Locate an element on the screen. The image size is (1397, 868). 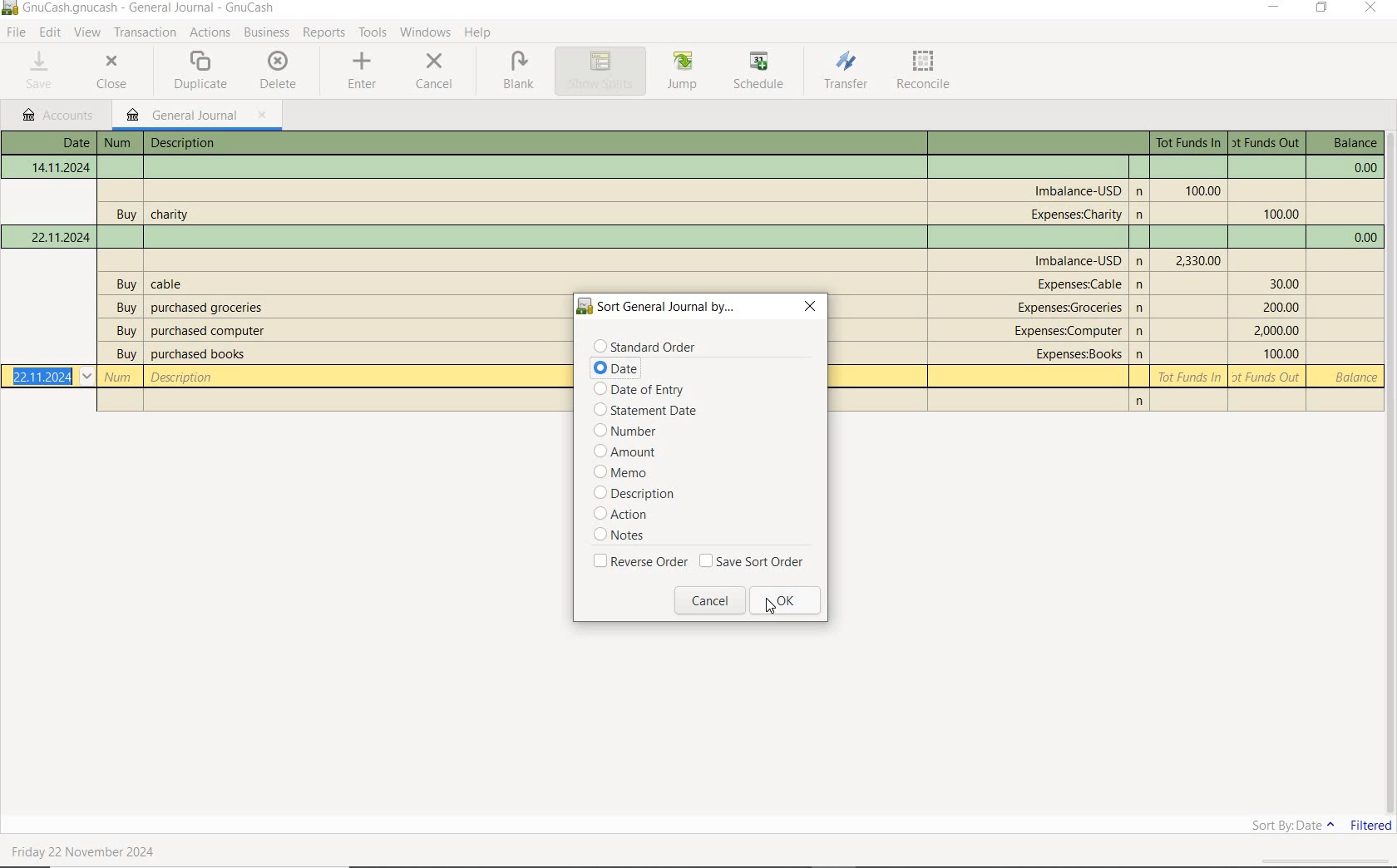
save sort order is located at coordinates (755, 565).